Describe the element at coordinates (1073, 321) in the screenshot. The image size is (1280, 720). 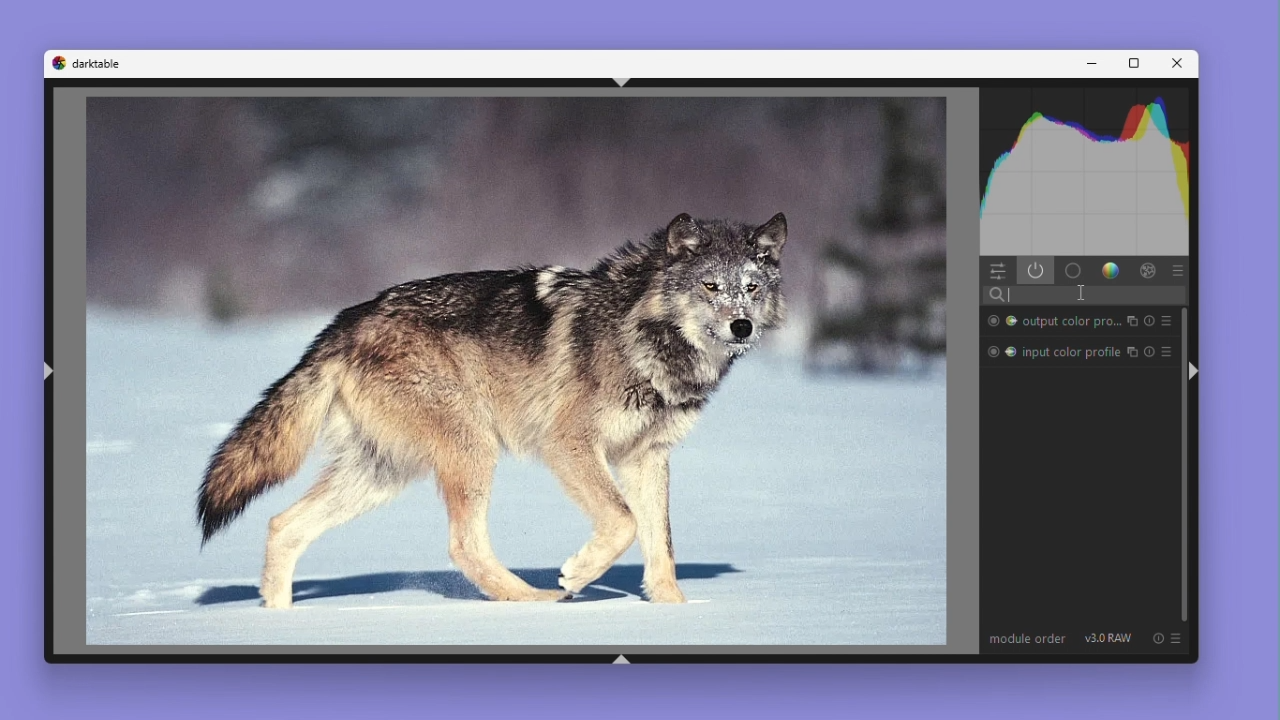
I see `output color pro...` at that location.